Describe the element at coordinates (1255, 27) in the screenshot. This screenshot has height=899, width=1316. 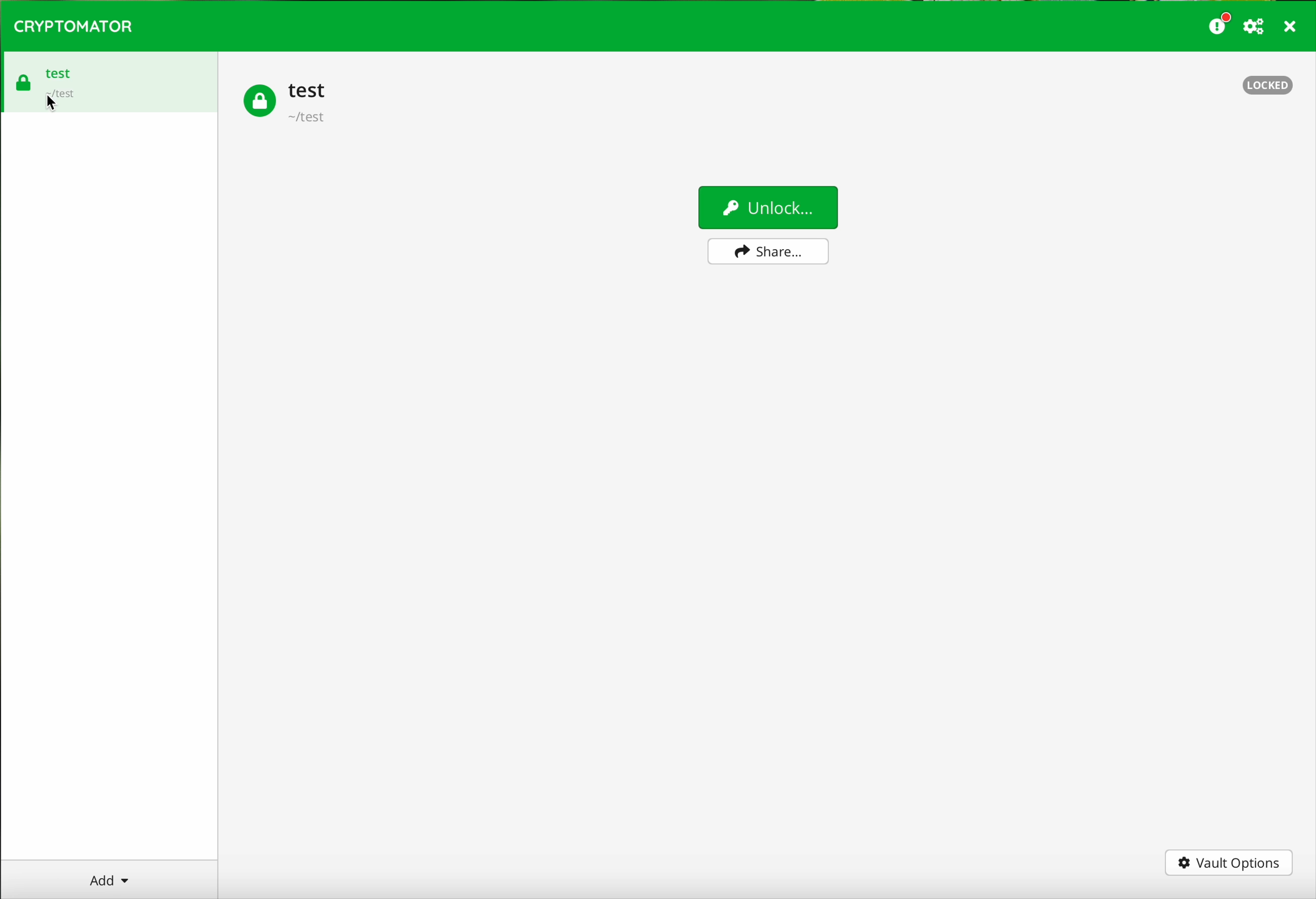
I see `preferences` at that location.